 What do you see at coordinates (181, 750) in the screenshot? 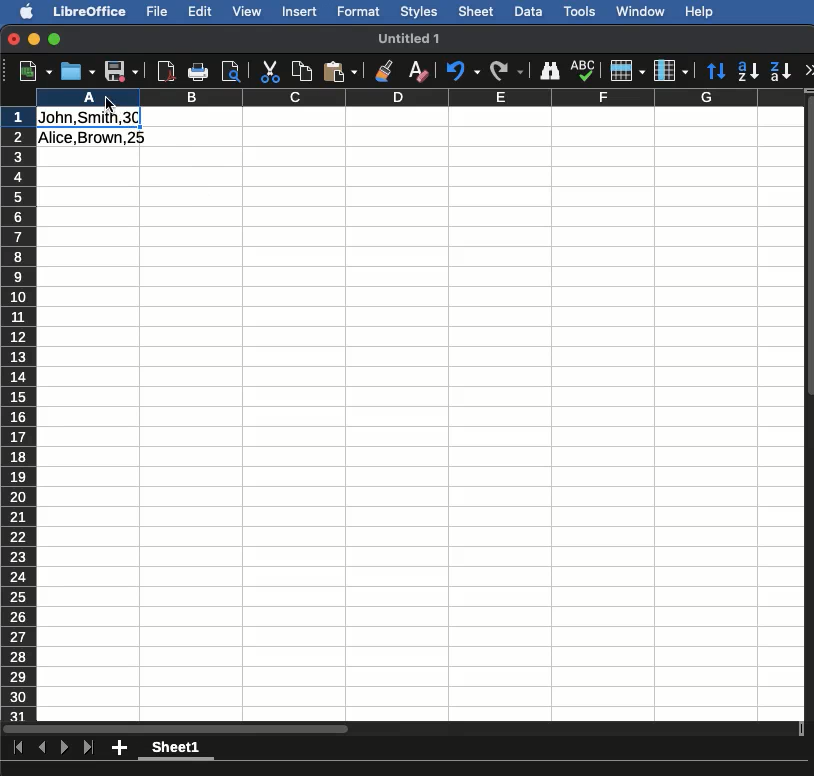
I see `Sheet` at bounding box center [181, 750].